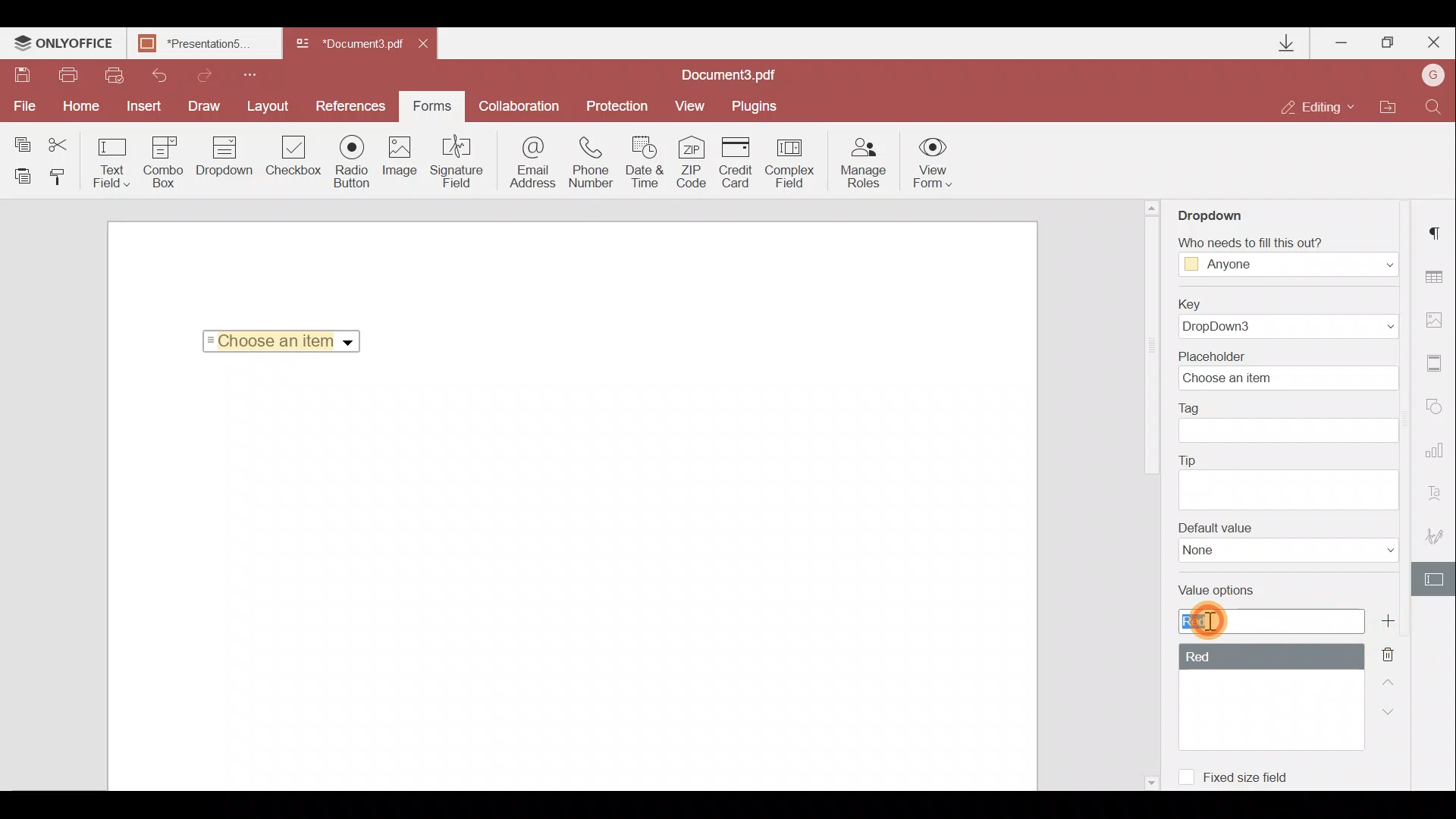 This screenshot has height=819, width=1456. I want to click on Fill Access, so click(1285, 257).